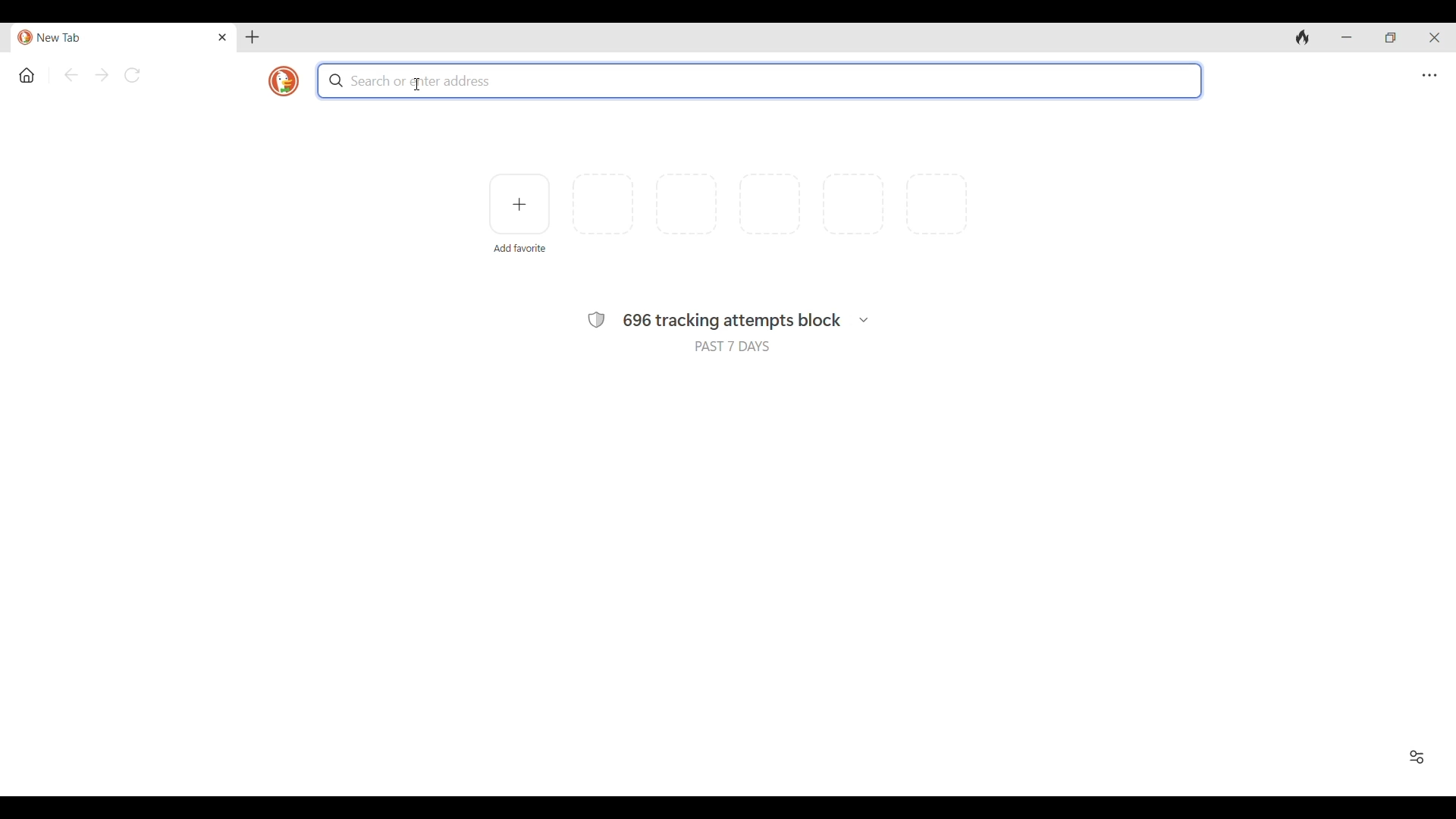 This screenshot has width=1456, height=819. What do you see at coordinates (733, 322) in the screenshot?
I see `696 tracking attempts block` at bounding box center [733, 322].